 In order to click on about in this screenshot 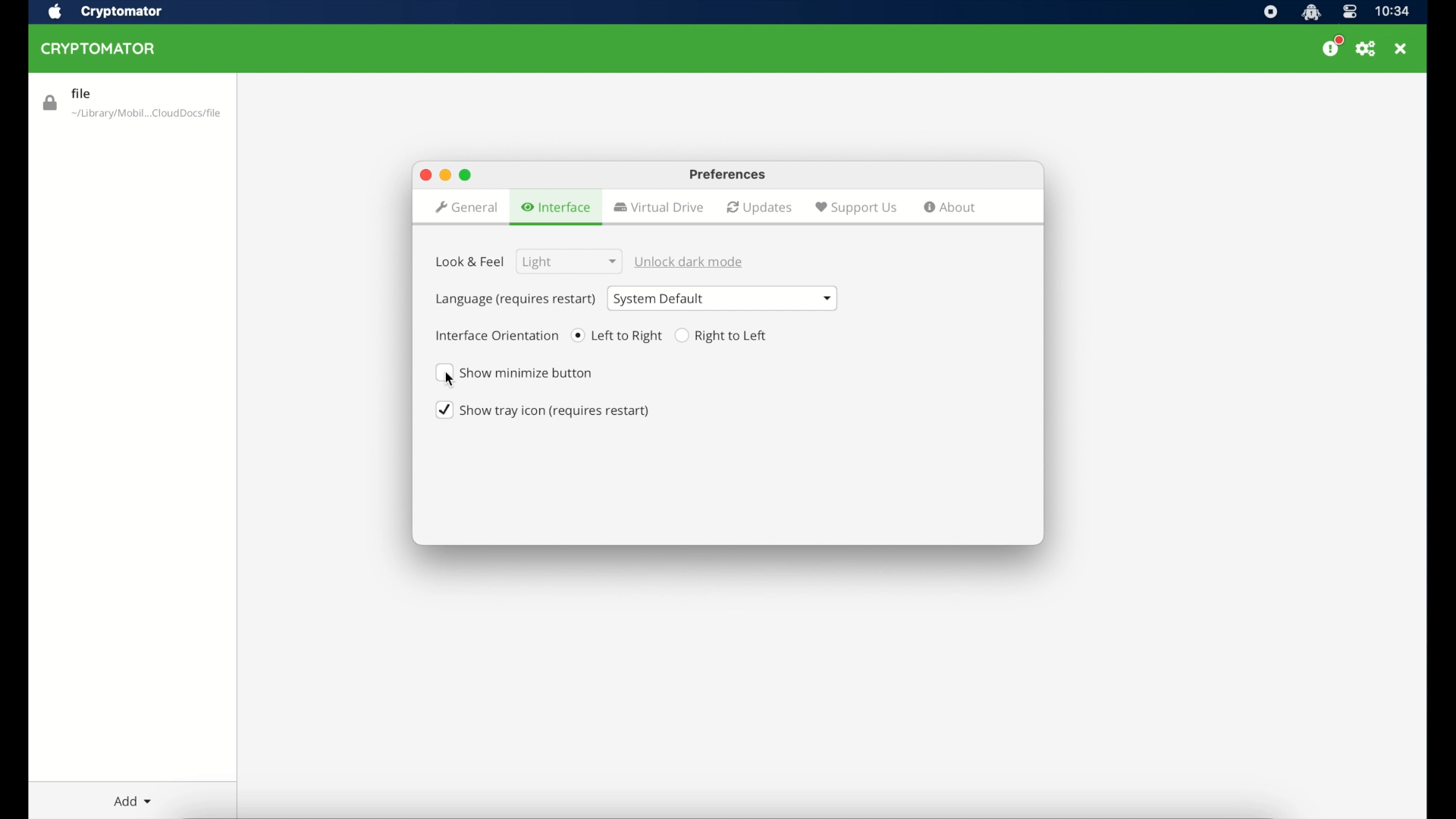, I will do `click(950, 207)`.